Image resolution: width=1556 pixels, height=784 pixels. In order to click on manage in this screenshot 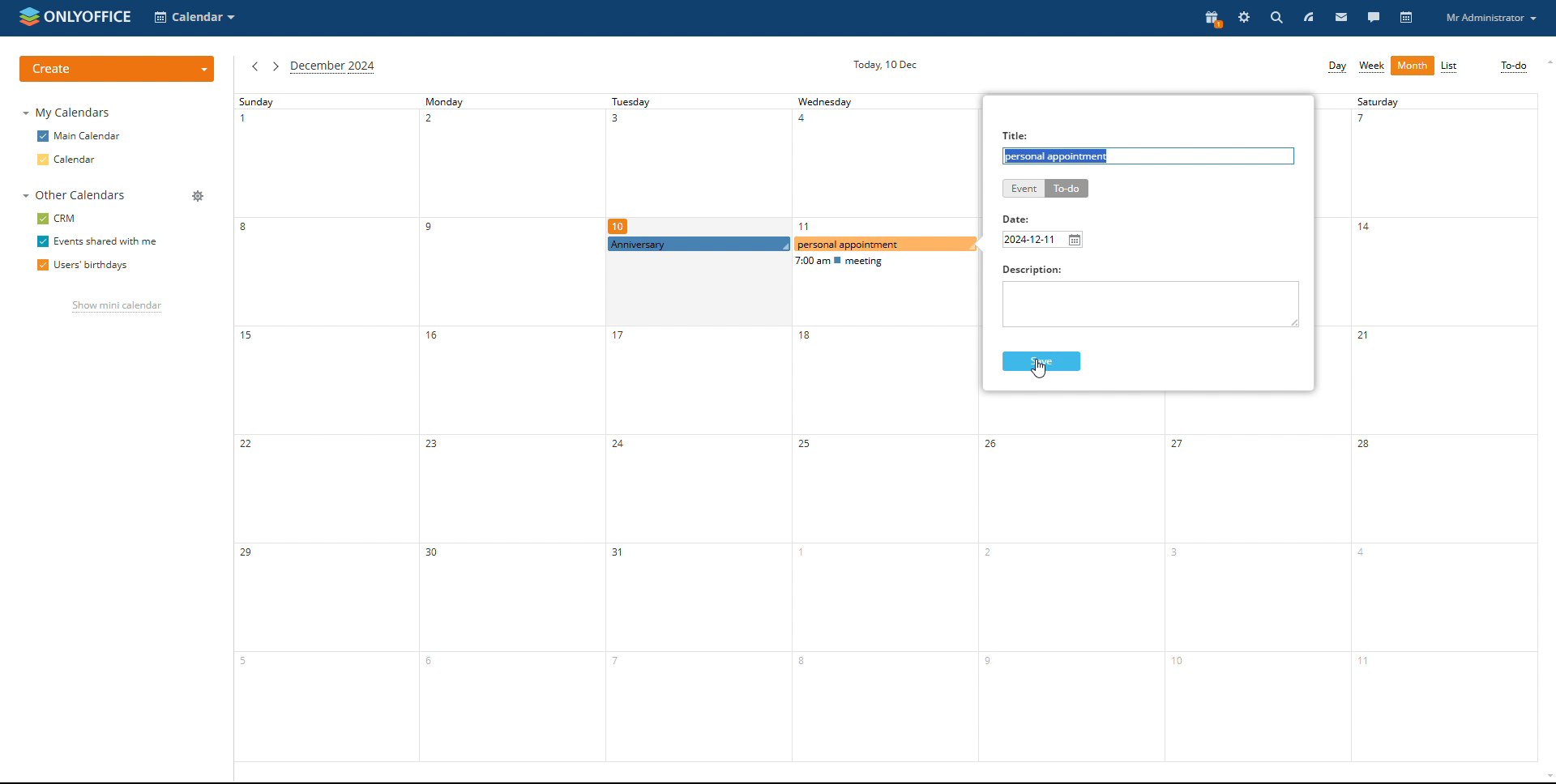, I will do `click(197, 196)`.